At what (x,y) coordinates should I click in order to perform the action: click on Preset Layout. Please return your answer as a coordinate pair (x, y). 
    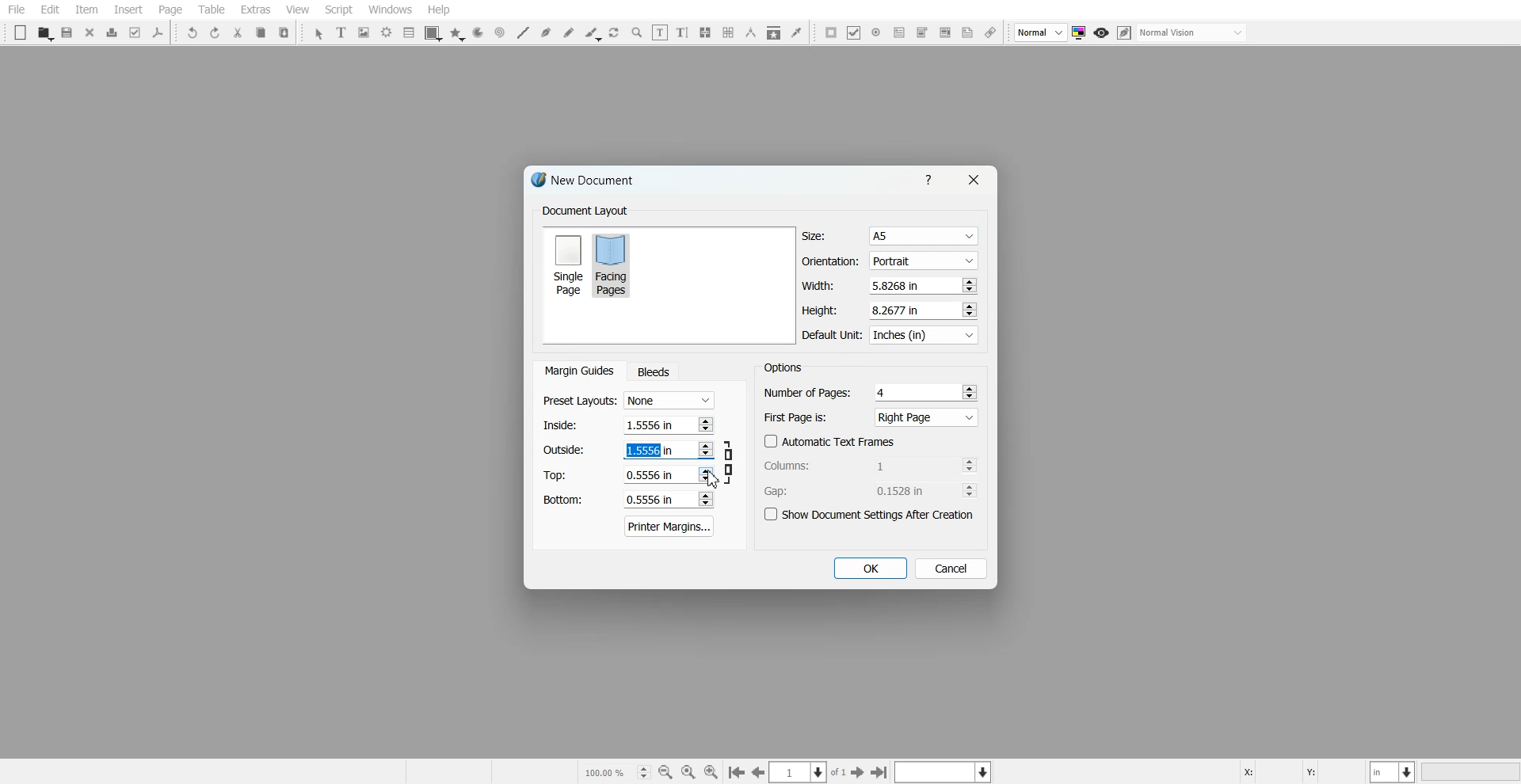
    Looking at the image, I should click on (628, 401).